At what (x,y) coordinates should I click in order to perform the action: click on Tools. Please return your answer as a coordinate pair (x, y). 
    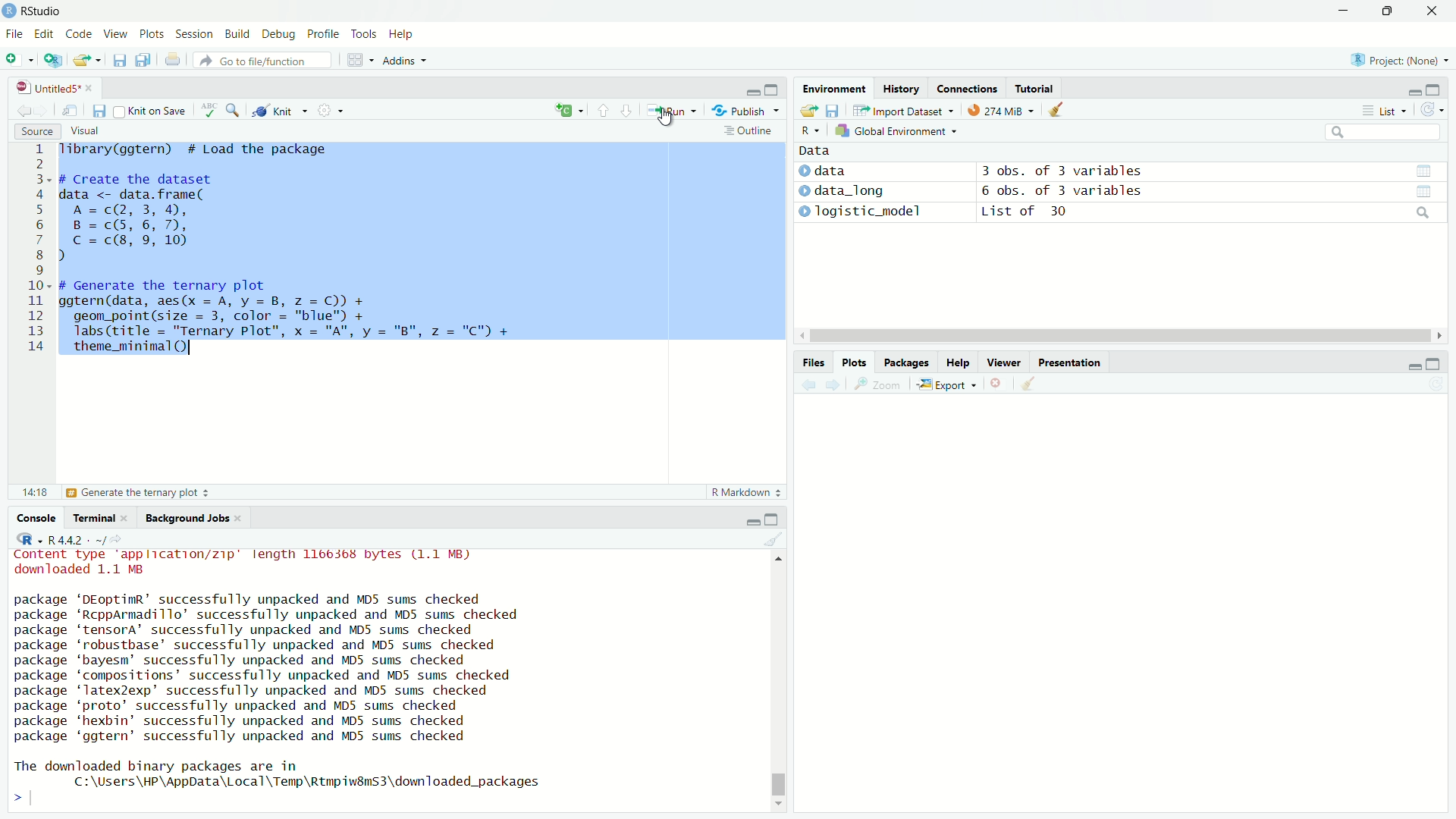
    Looking at the image, I should click on (363, 33).